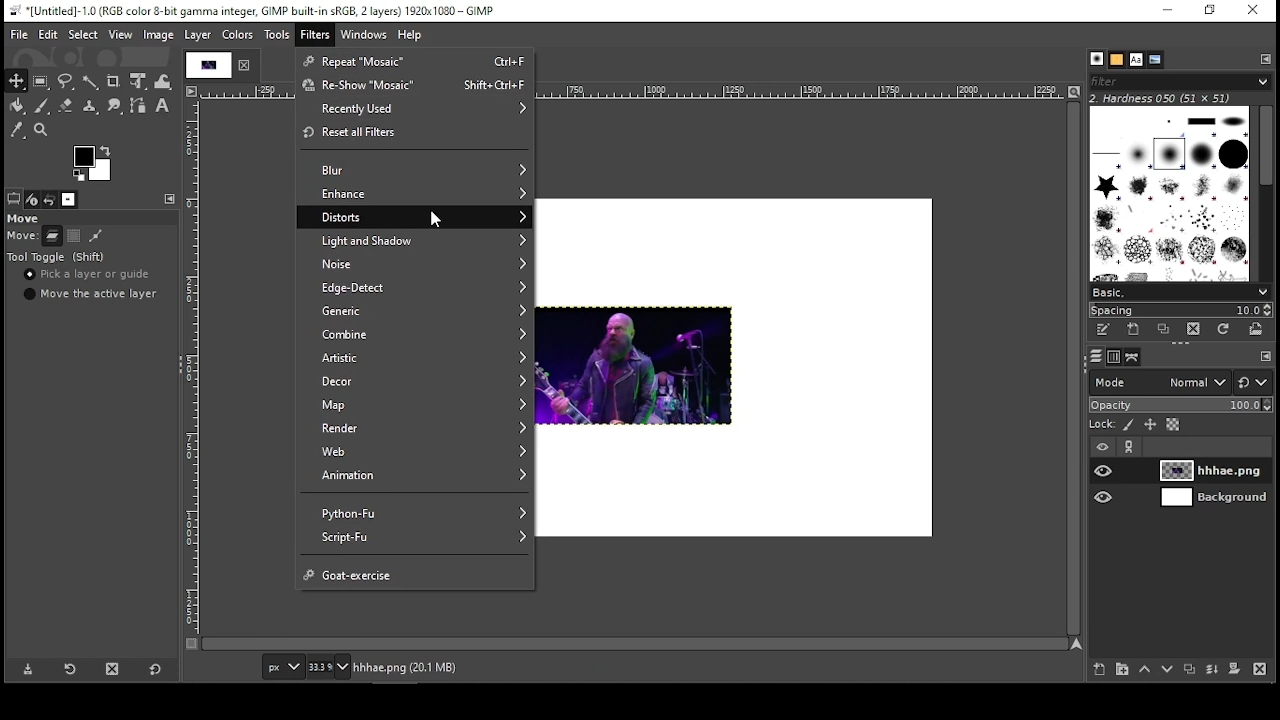 The width and height of the screenshot is (1280, 720). Describe the element at coordinates (170, 199) in the screenshot. I see `To open Tab menu` at that location.